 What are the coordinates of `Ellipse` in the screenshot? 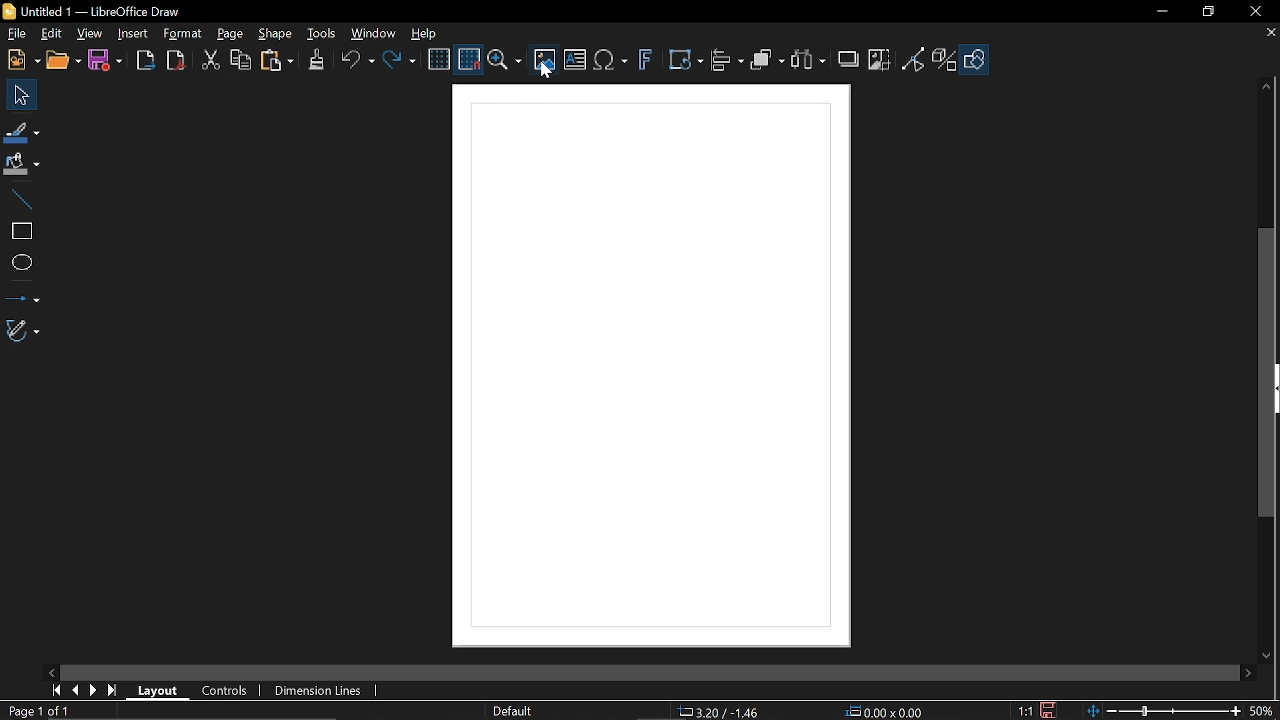 It's located at (19, 261).